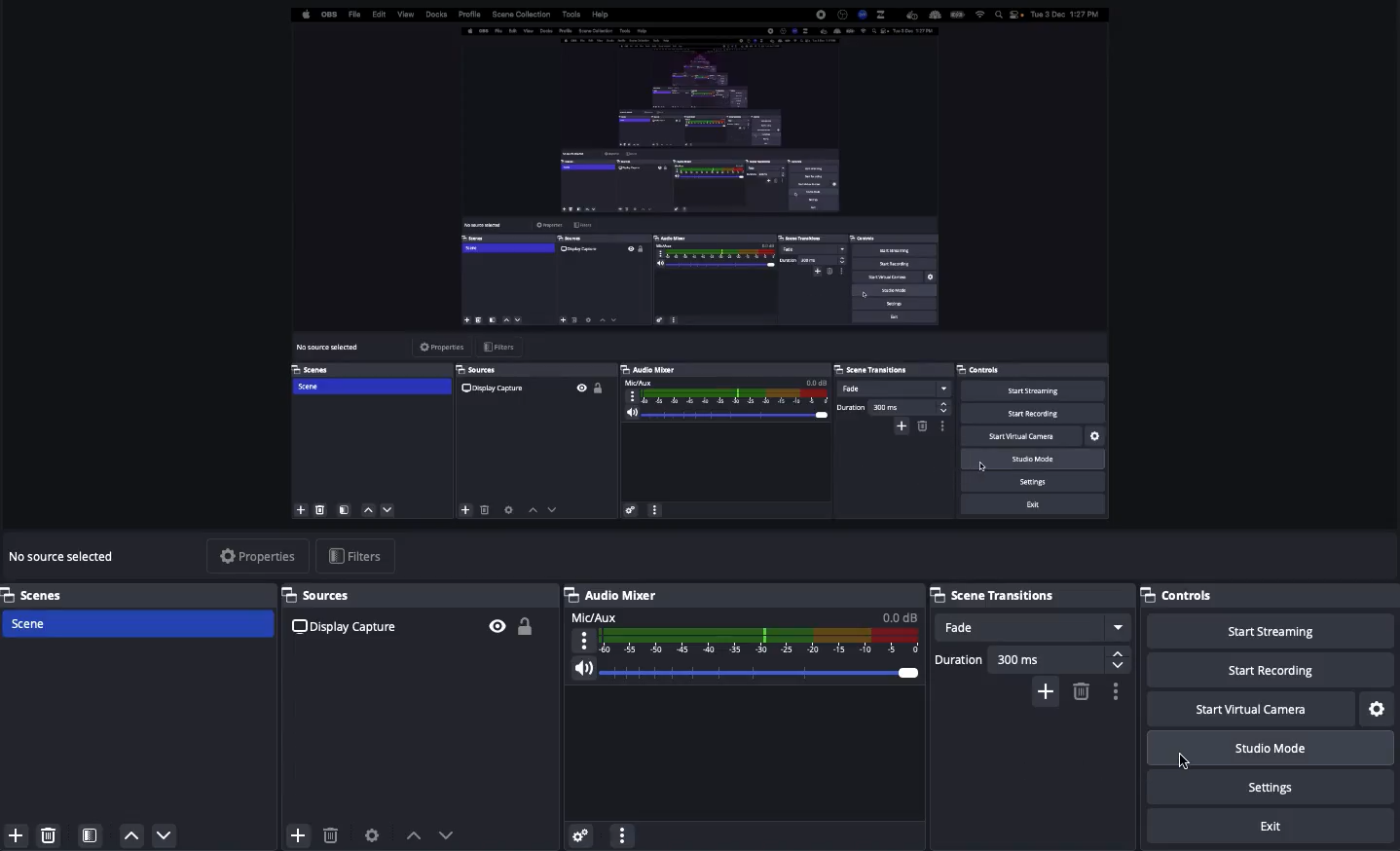  I want to click on Fade, so click(1032, 626).